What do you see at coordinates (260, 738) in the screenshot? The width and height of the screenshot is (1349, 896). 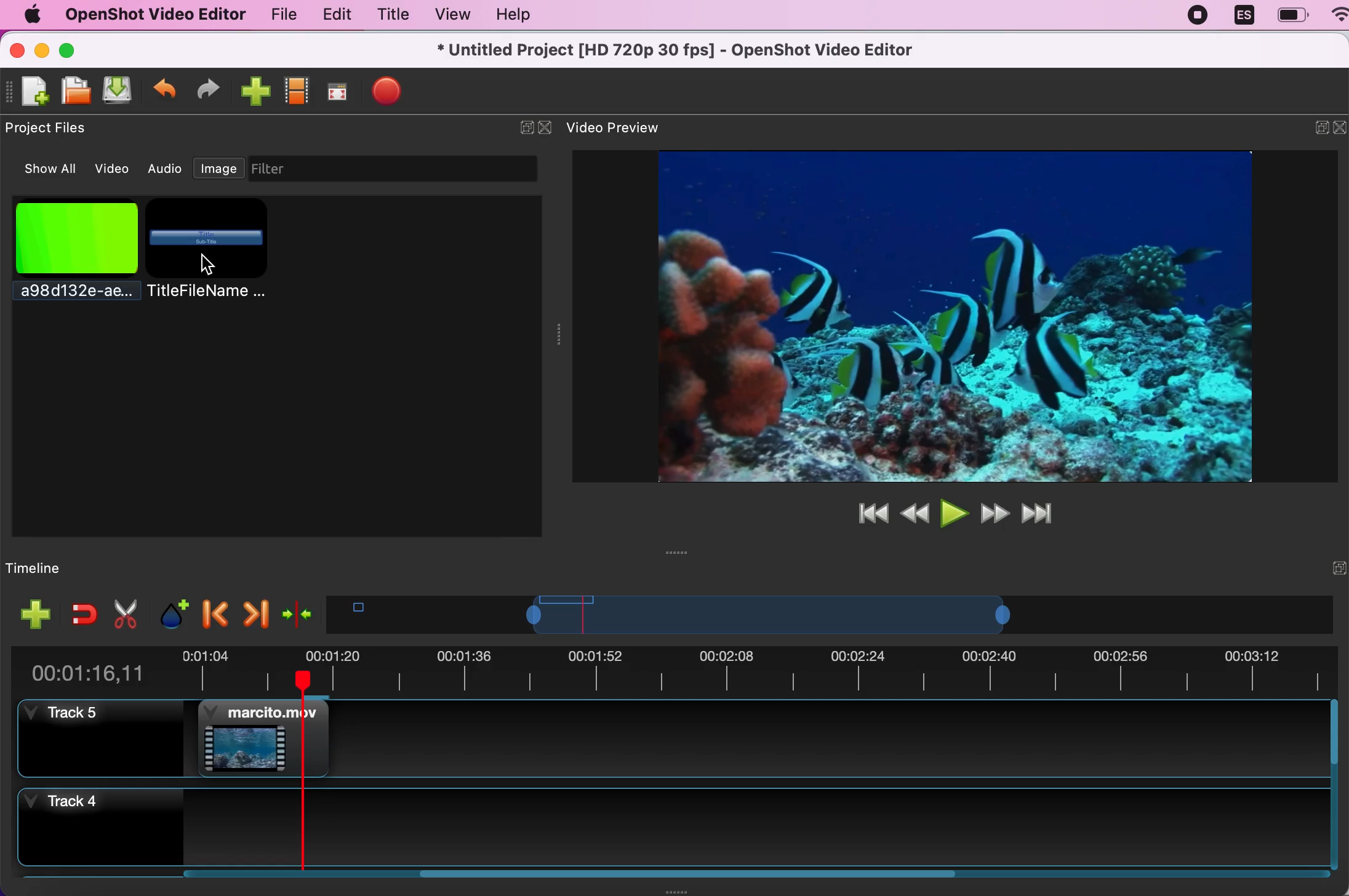 I see `flames` at bounding box center [260, 738].